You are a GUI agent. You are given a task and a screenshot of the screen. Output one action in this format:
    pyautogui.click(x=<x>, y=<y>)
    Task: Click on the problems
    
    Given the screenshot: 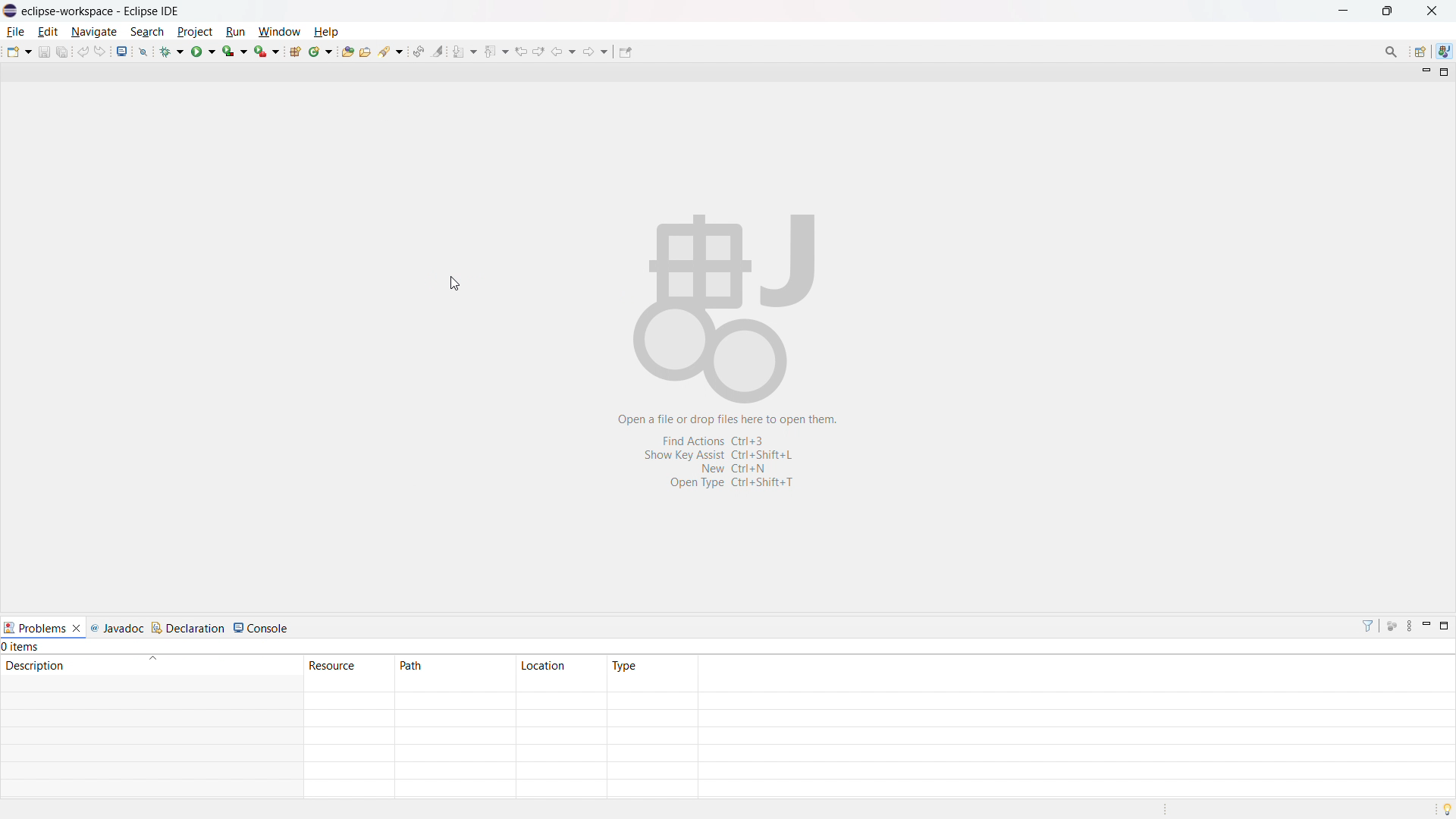 What is the action you would take?
    pyautogui.click(x=34, y=628)
    